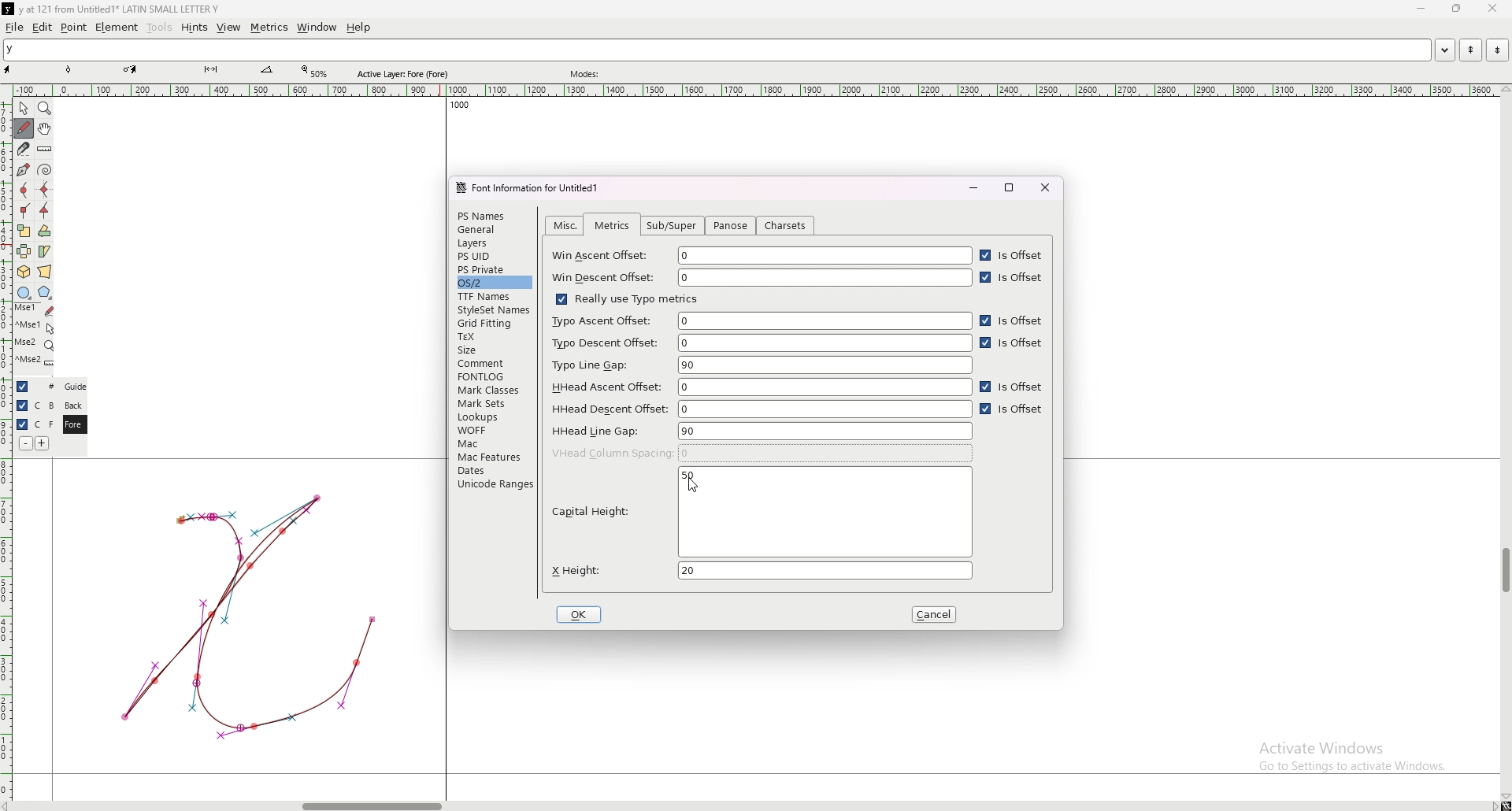  Describe the element at coordinates (22, 168) in the screenshot. I see `add a point, then drag out its control points` at that location.